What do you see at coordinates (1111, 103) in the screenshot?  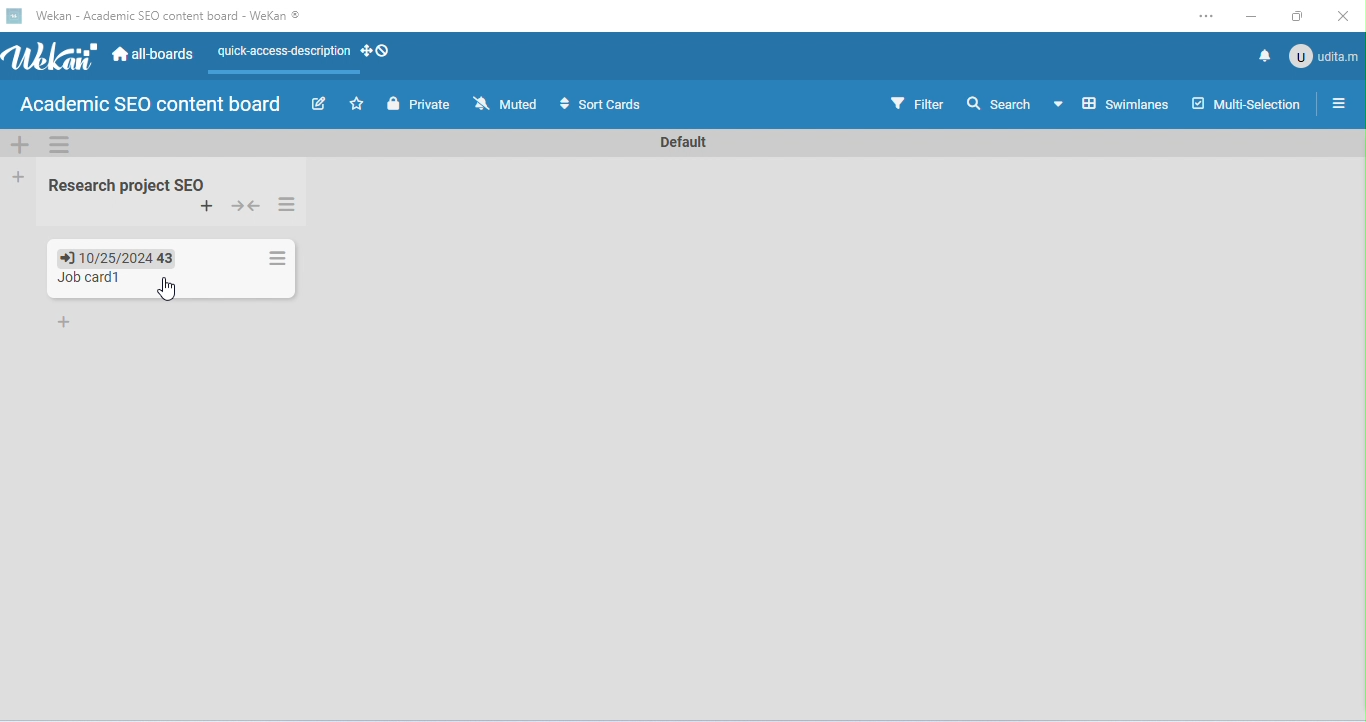 I see `select board view` at bounding box center [1111, 103].